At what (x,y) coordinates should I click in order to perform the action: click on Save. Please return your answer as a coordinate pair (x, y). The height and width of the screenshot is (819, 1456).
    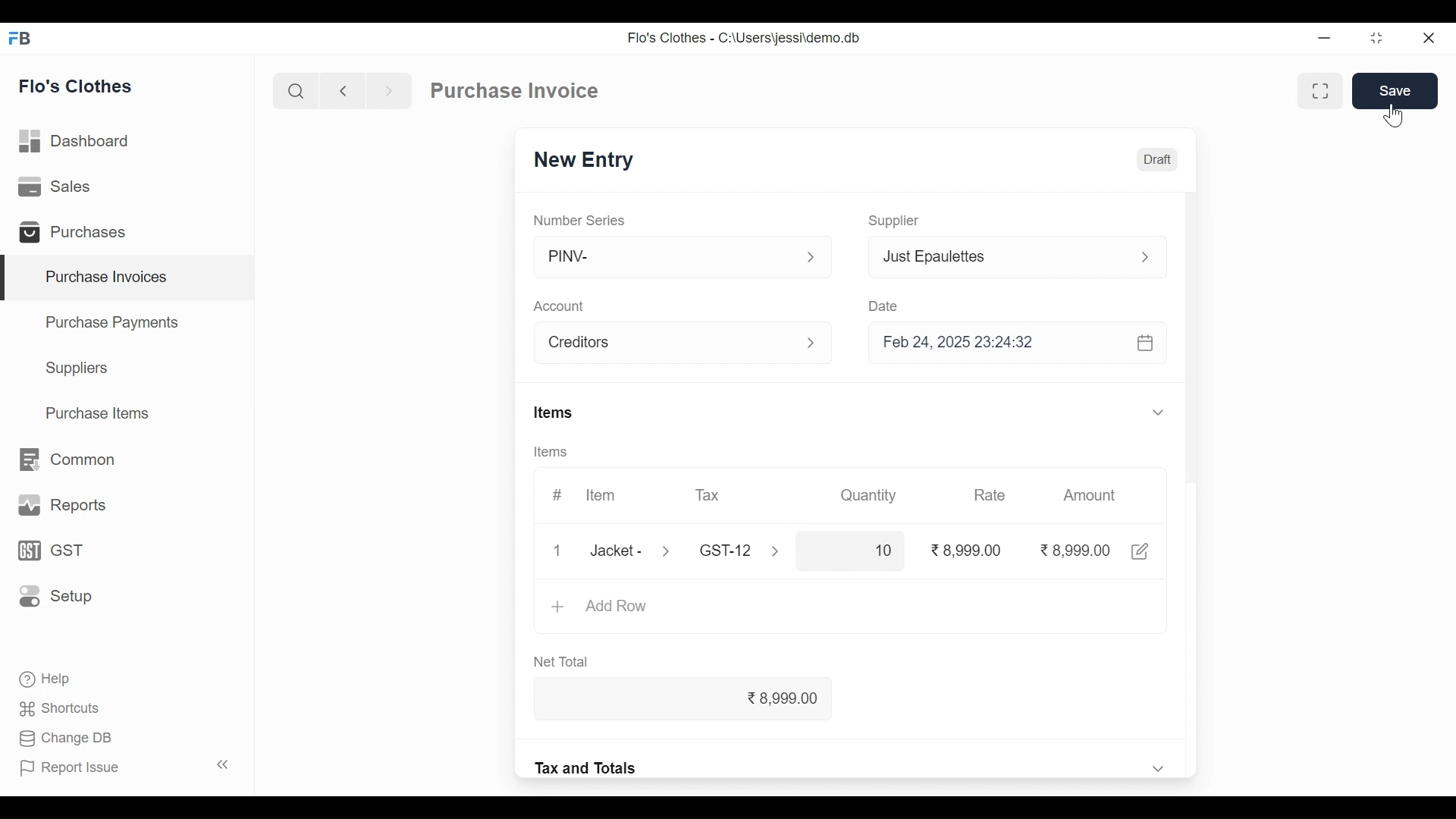
    Looking at the image, I should click on (1395, 91).